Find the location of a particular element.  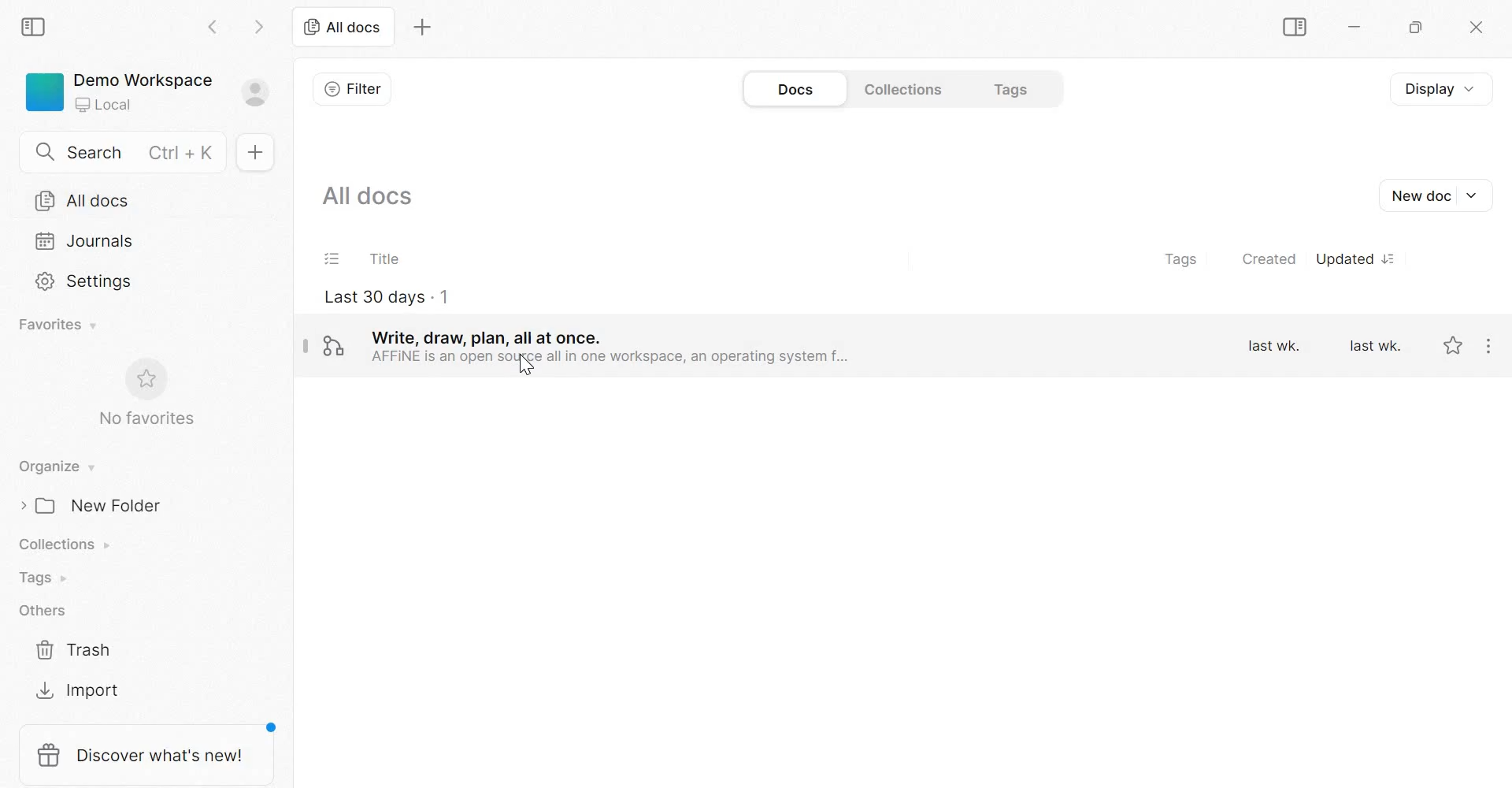

Favorite is located at coordinates (1451, 348).